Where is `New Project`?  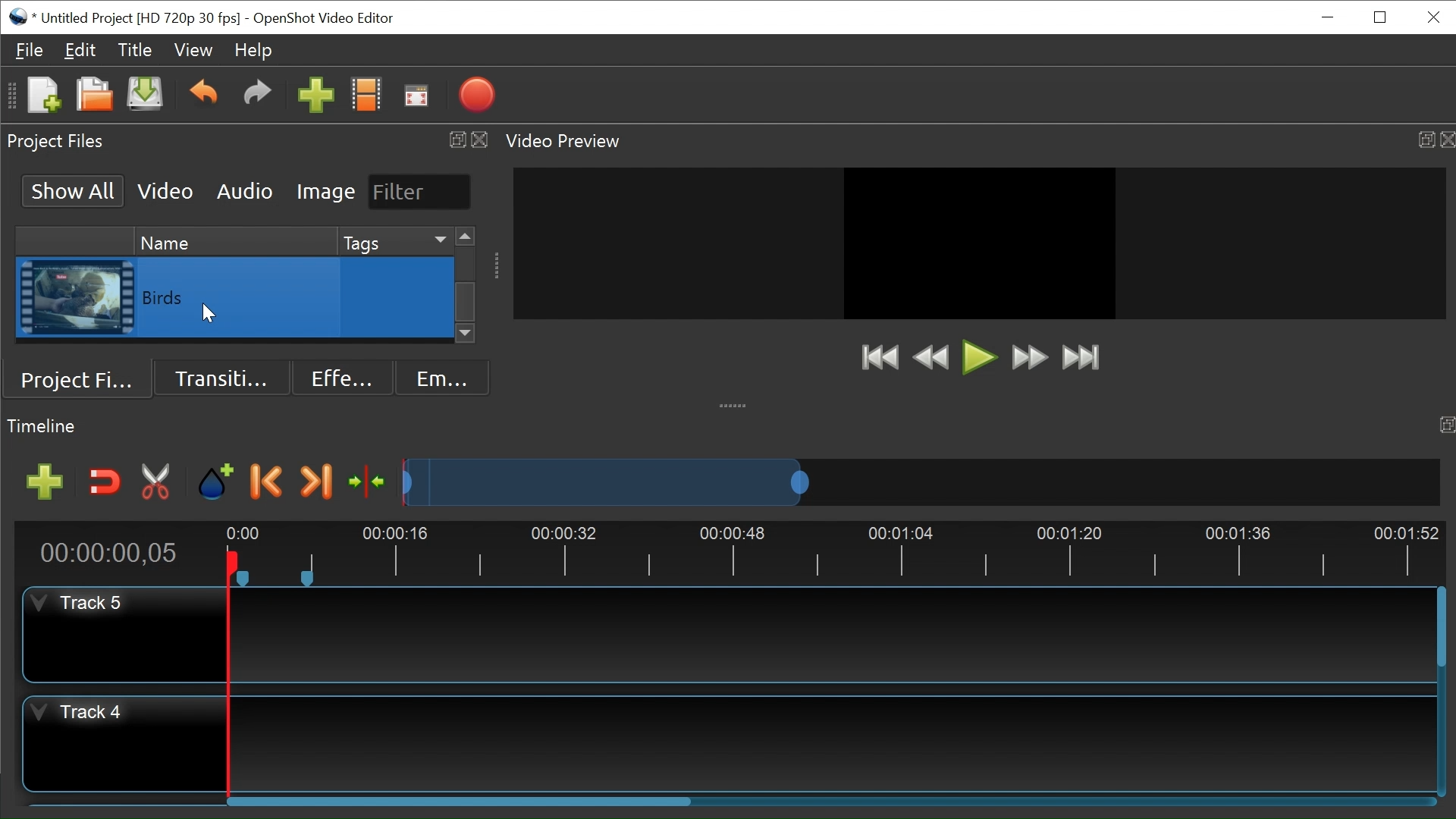
New Project is located at coordinates (42, 96).